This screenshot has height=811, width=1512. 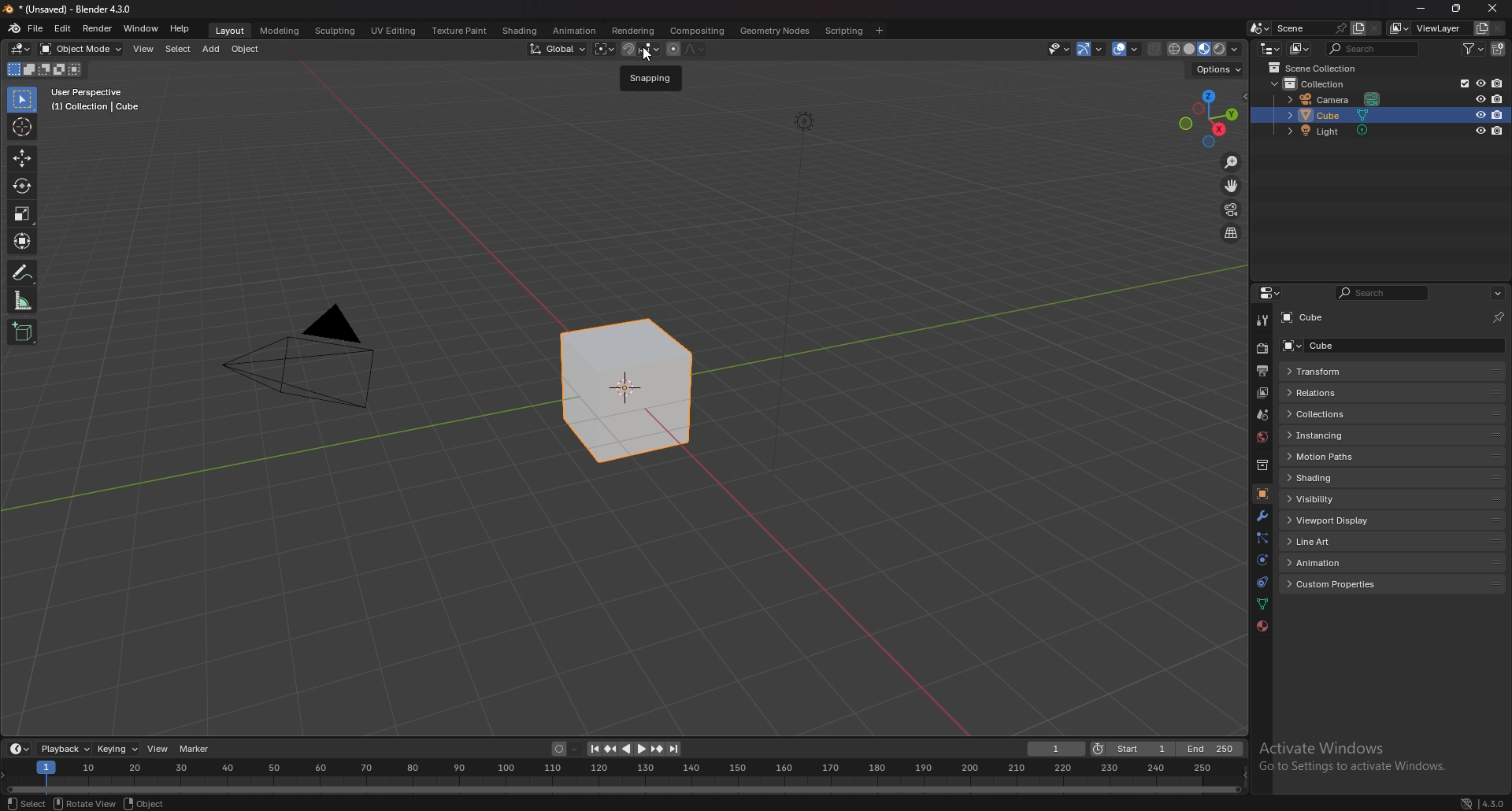 I want to click on animation, so click(x=1337, y=562).